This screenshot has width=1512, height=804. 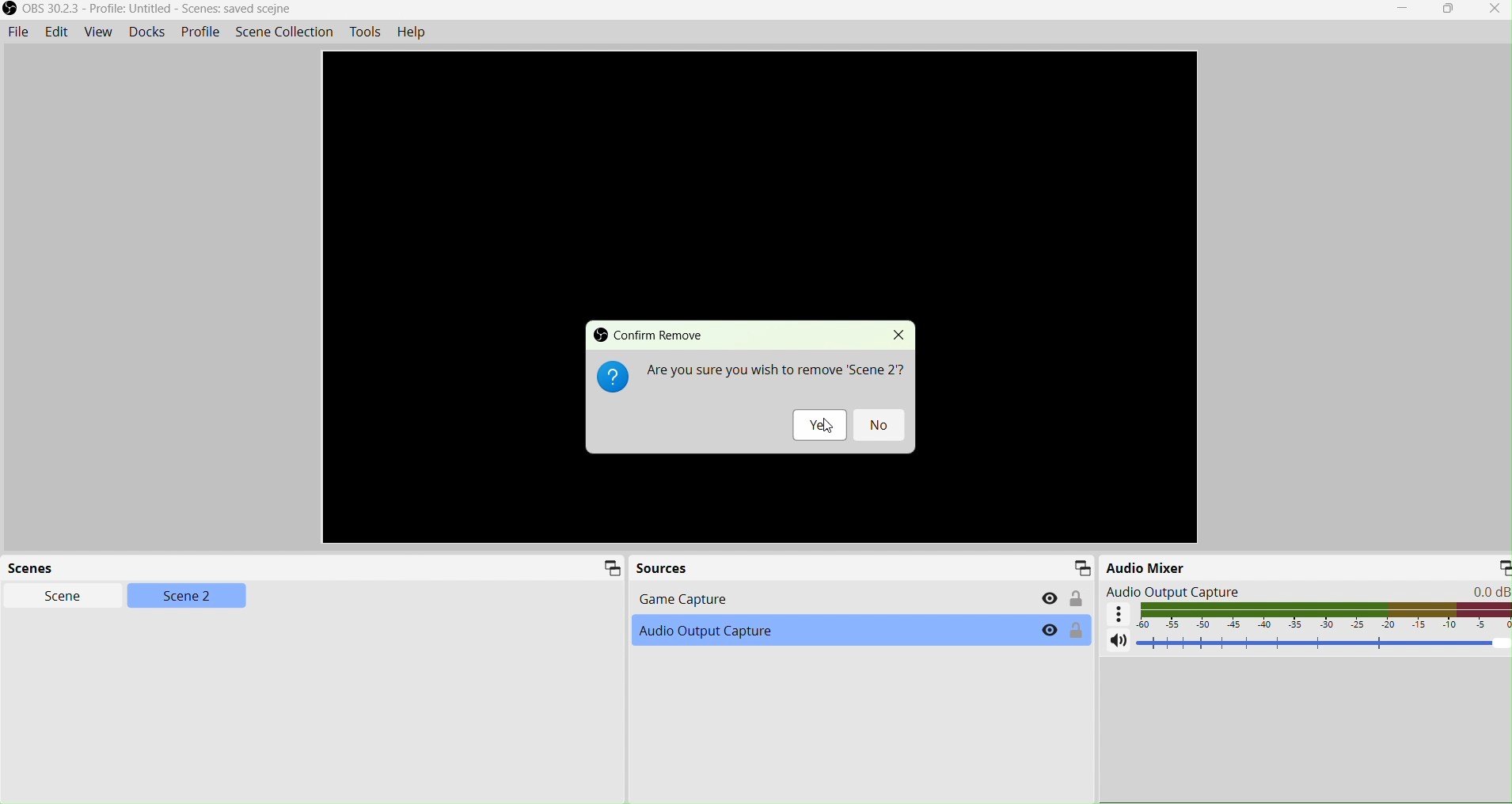 What do you see at coordinates (741, 635) in the screenshot?
I see `Audio Output Capture` at bounding box center [741, 635].